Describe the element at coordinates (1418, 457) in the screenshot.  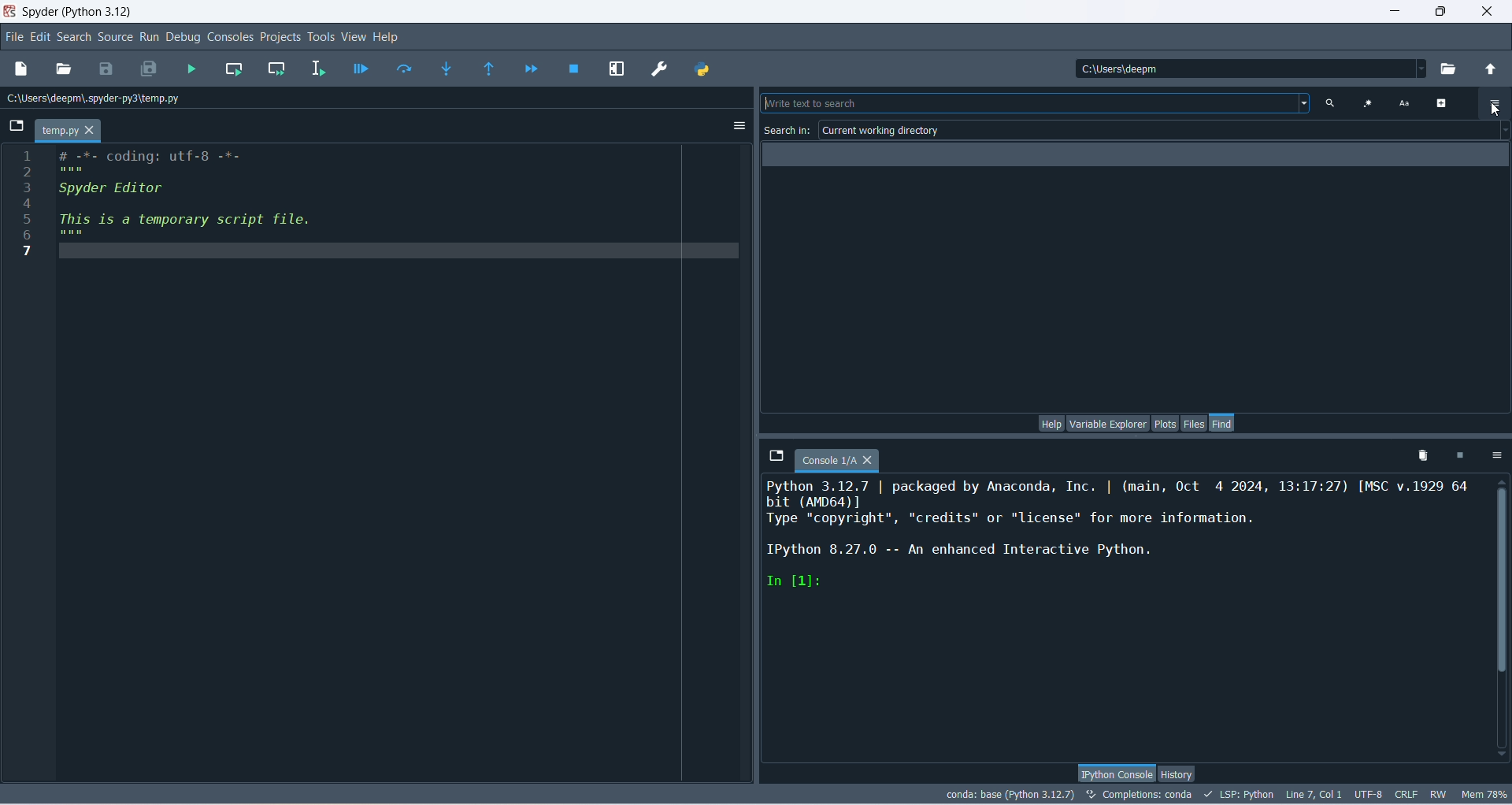
I see `remove` at that location.